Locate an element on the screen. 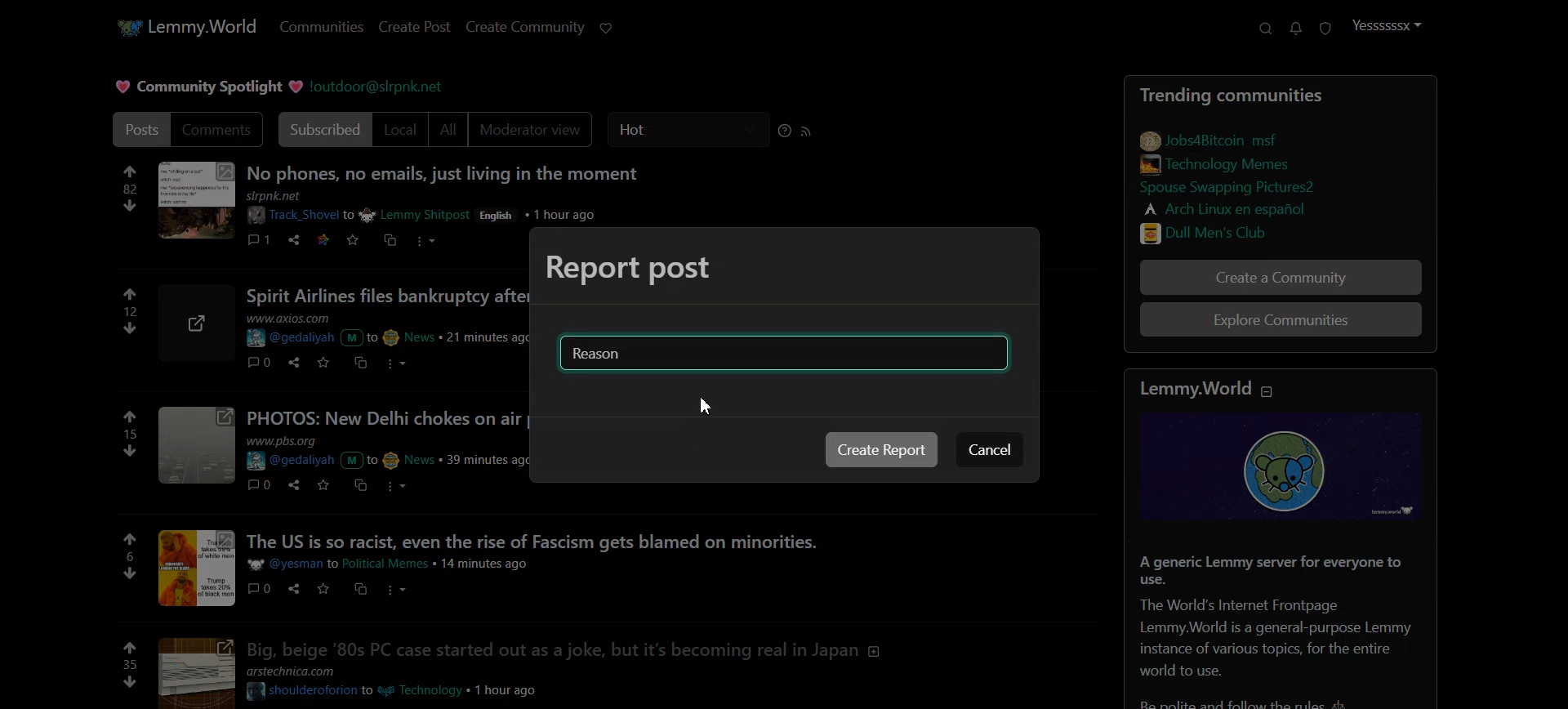 This screenshot has width=1568, height=709. image is located at coordinates (1288, 468).